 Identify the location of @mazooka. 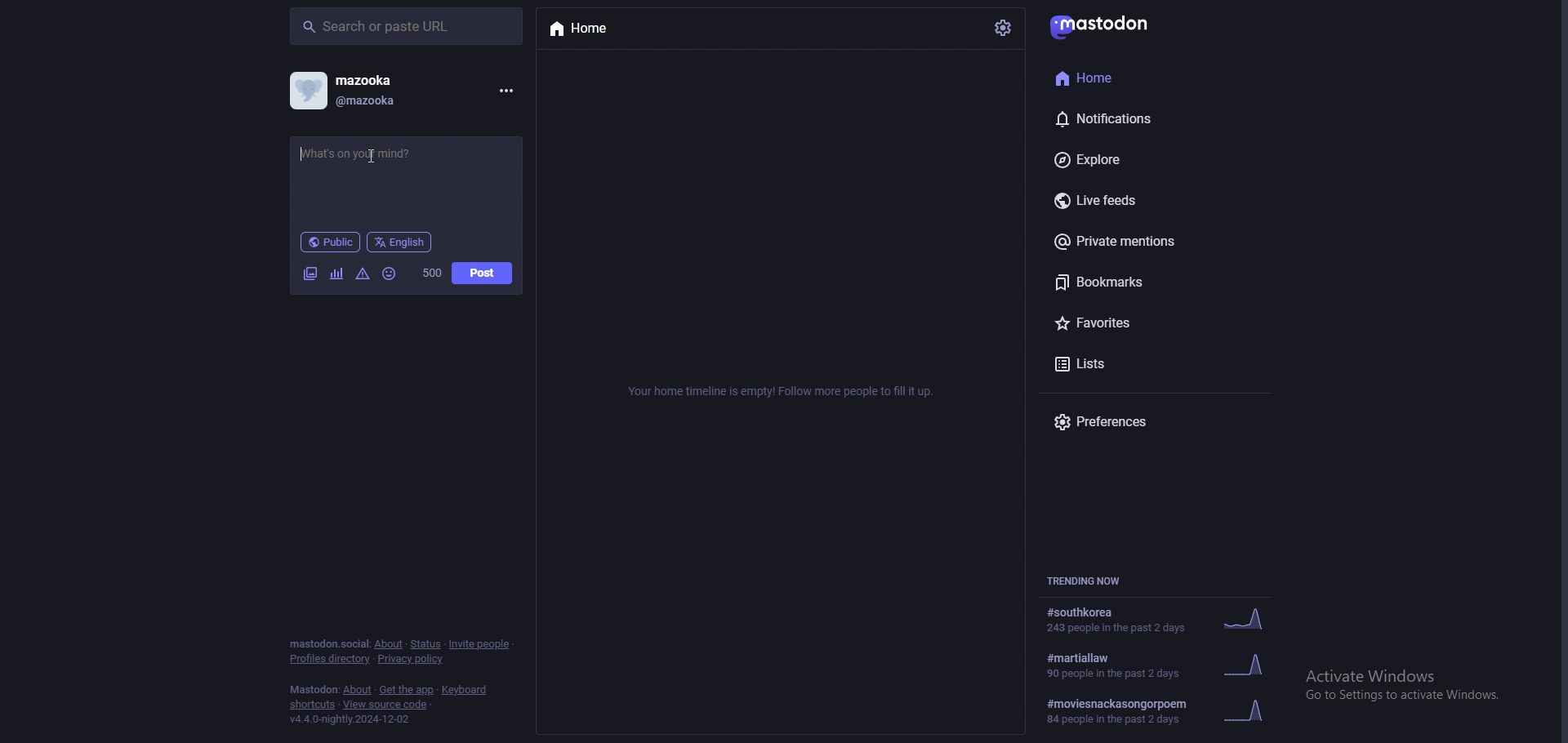
(393, 103).